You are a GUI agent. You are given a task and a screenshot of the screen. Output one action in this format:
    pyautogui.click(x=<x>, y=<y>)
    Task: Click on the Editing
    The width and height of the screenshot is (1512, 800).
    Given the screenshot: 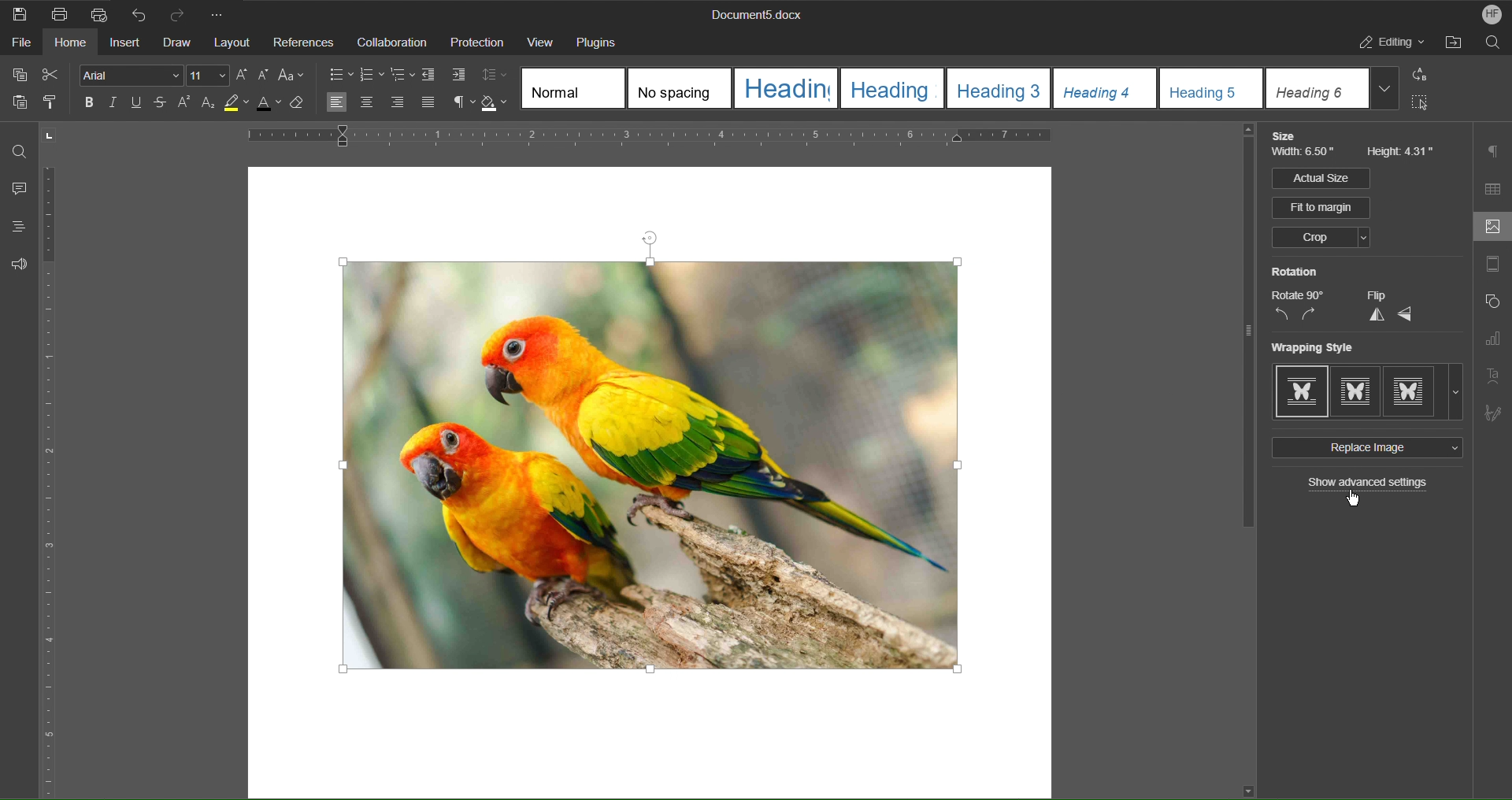 What is the action you would take?
    pyautogui.click(x=1393, y=45)
    